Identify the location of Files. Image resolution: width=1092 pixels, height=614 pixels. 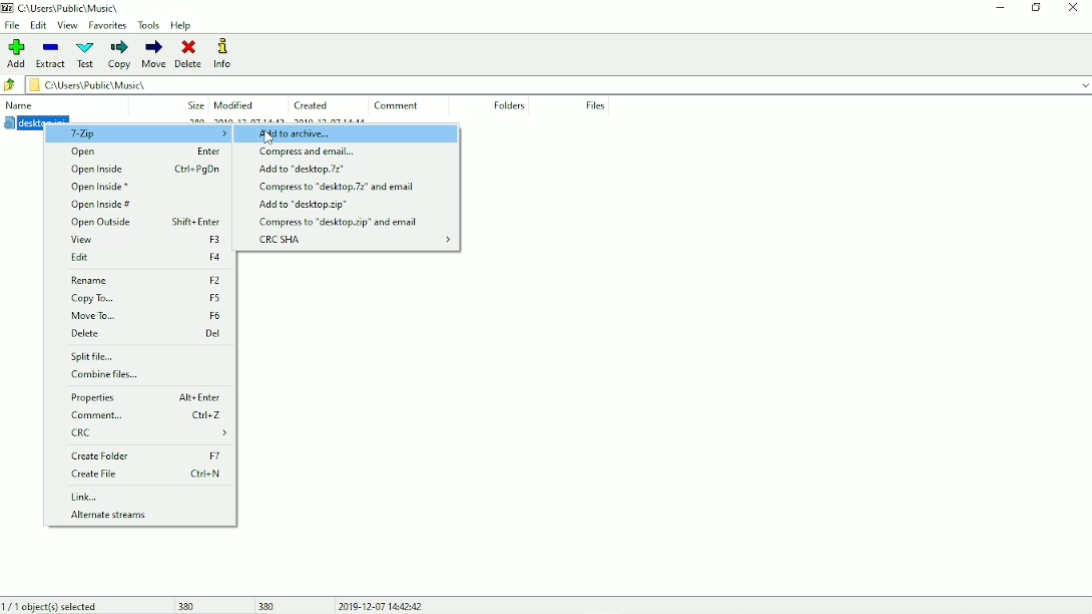
(595, 106).